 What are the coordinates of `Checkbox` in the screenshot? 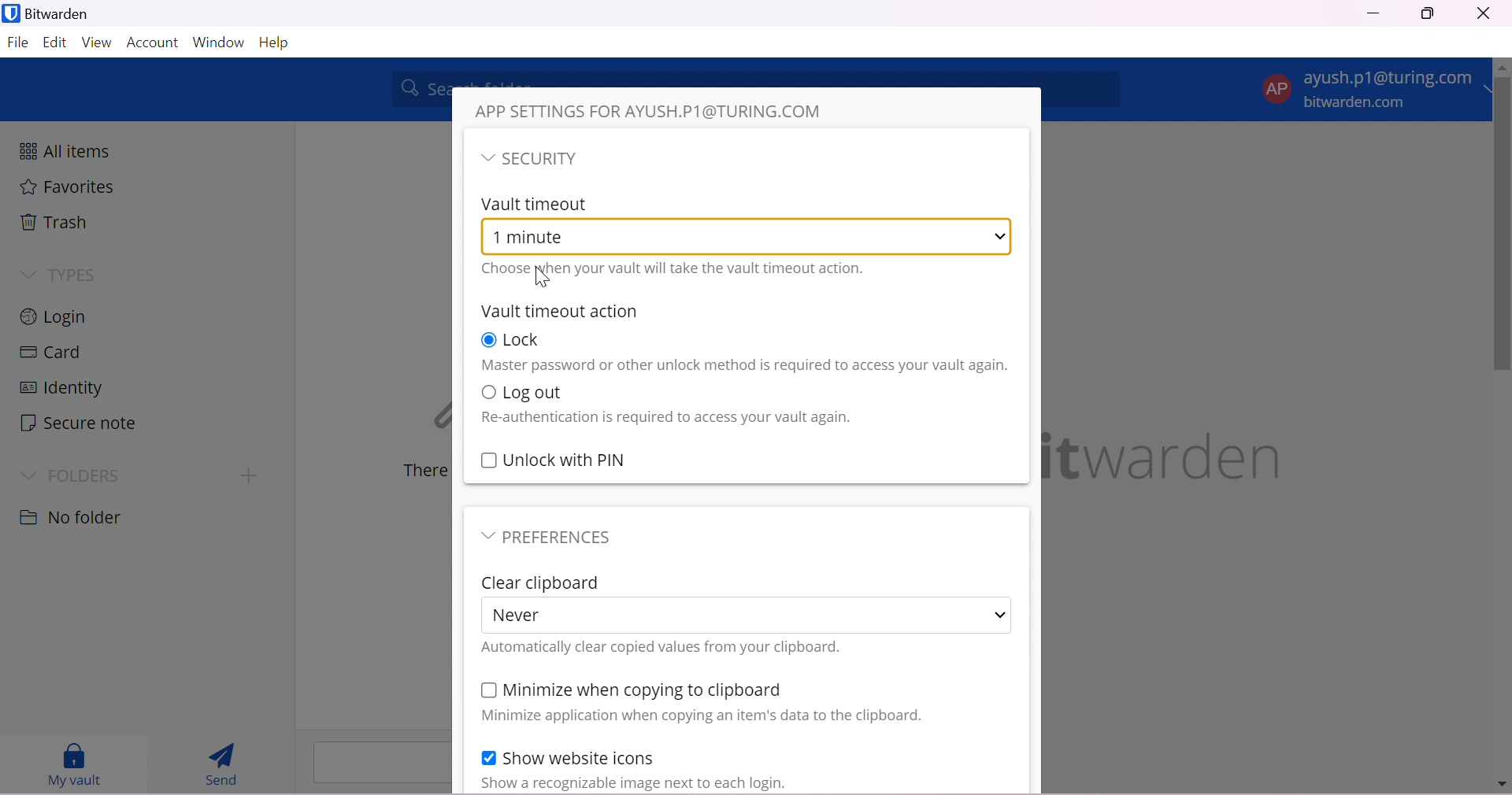 It's located at (487, 756).